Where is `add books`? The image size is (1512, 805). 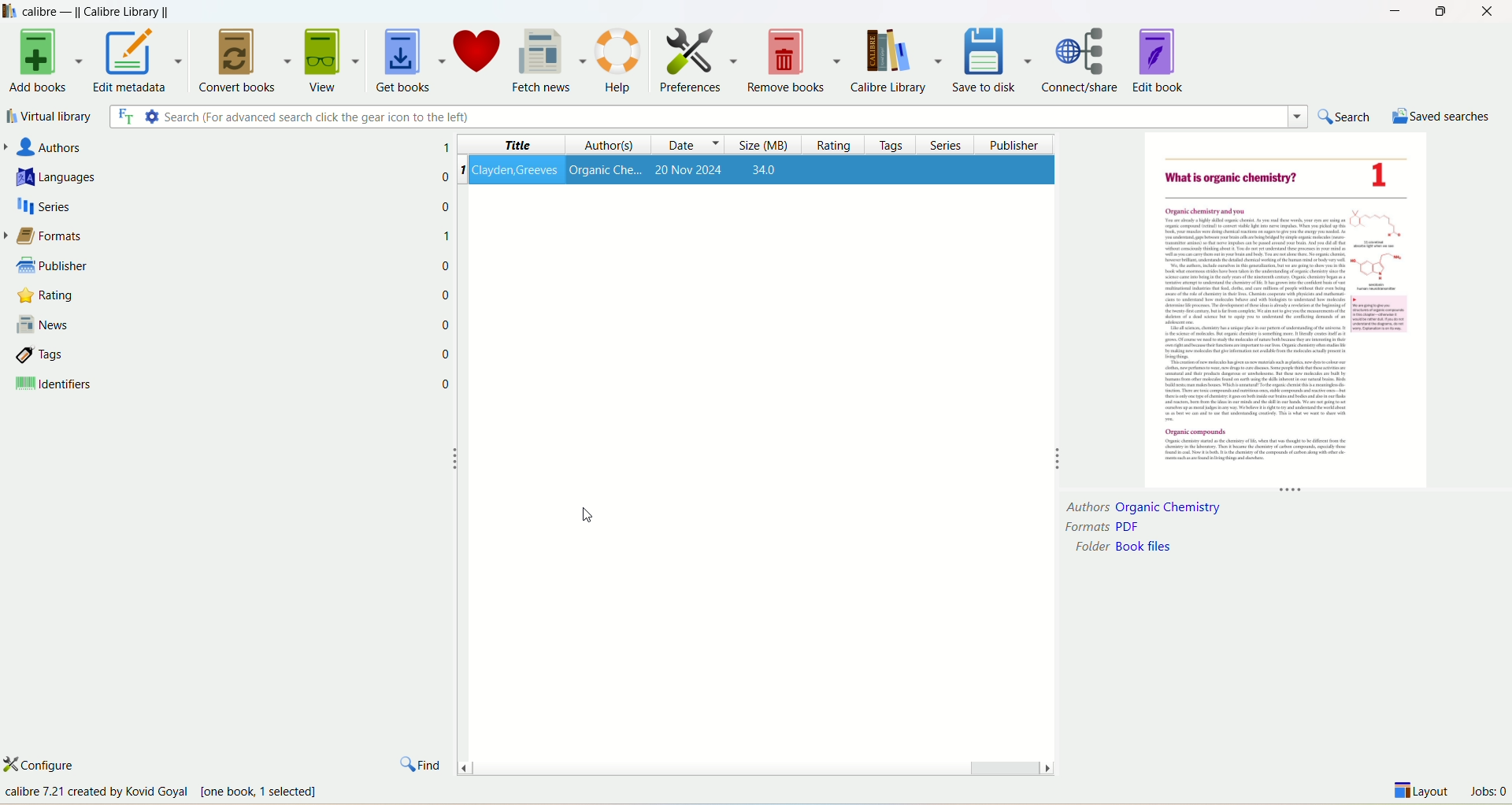 add books is located at coordinates (42, 63).